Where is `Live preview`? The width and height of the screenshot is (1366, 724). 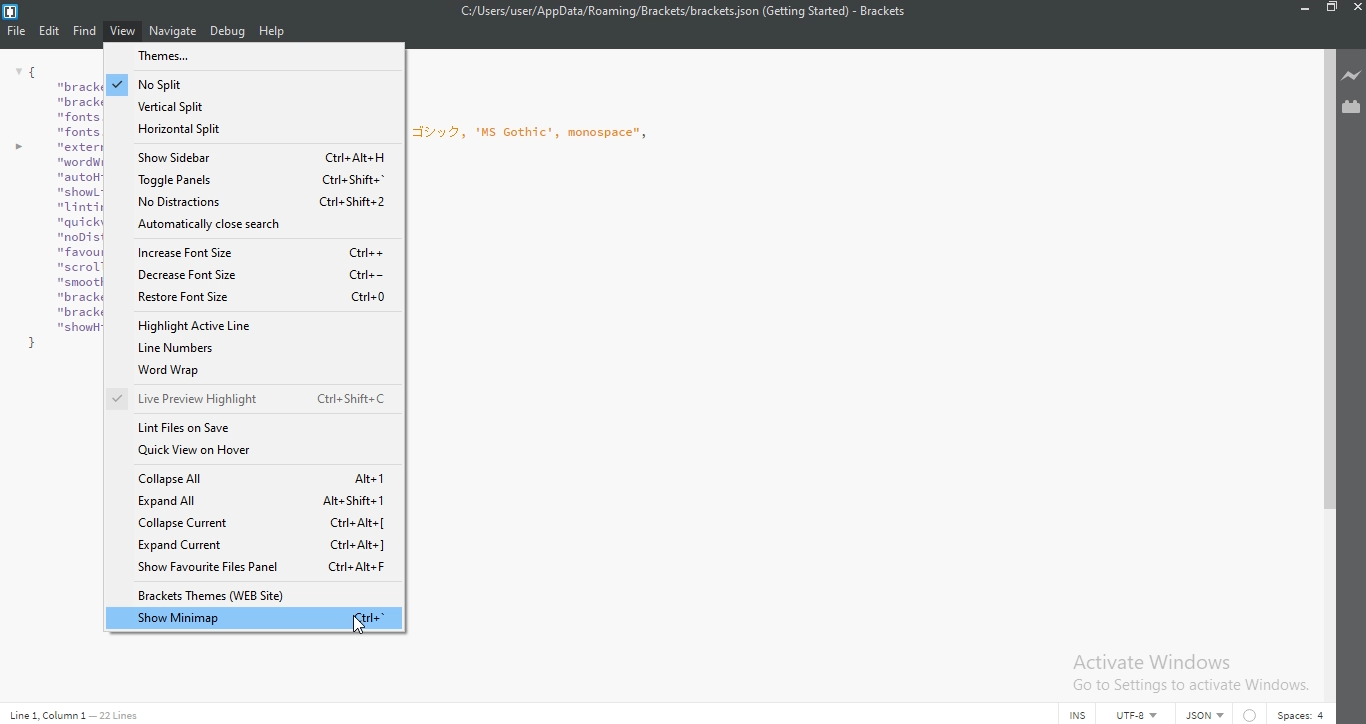
Live preview is located at coordinates (1353, 74).